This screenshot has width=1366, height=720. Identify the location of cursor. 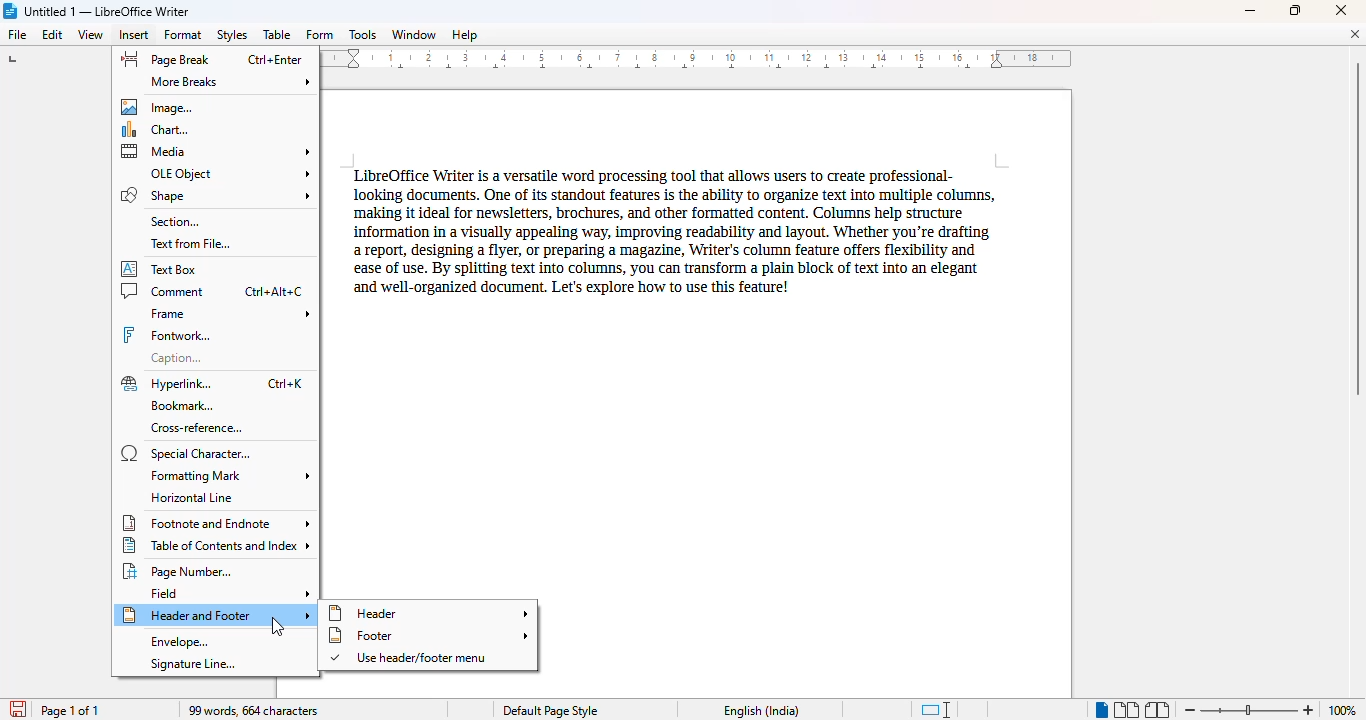
(277, 627).